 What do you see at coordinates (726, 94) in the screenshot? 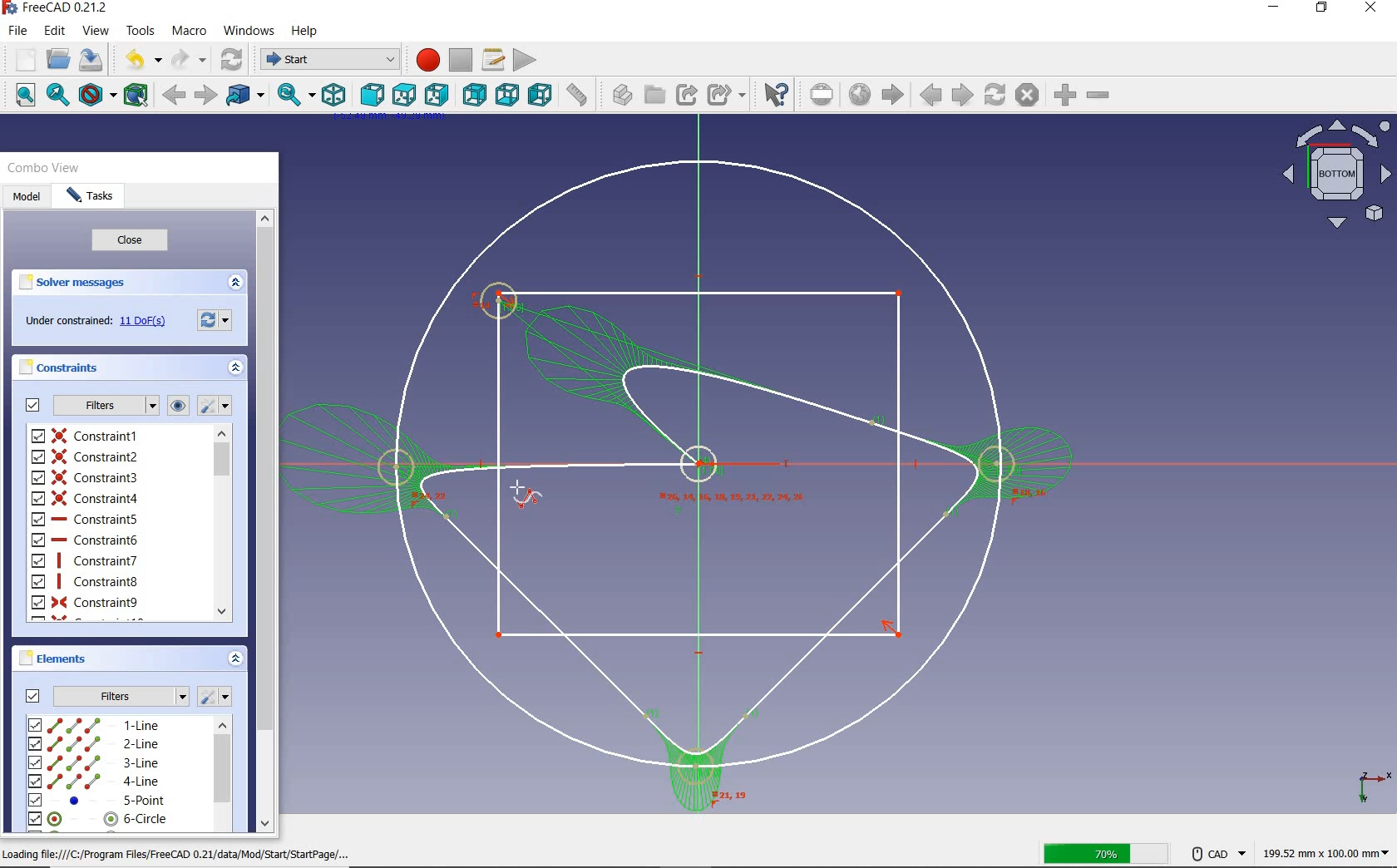
I see `make sub-link` at bounding box center [726, 94].